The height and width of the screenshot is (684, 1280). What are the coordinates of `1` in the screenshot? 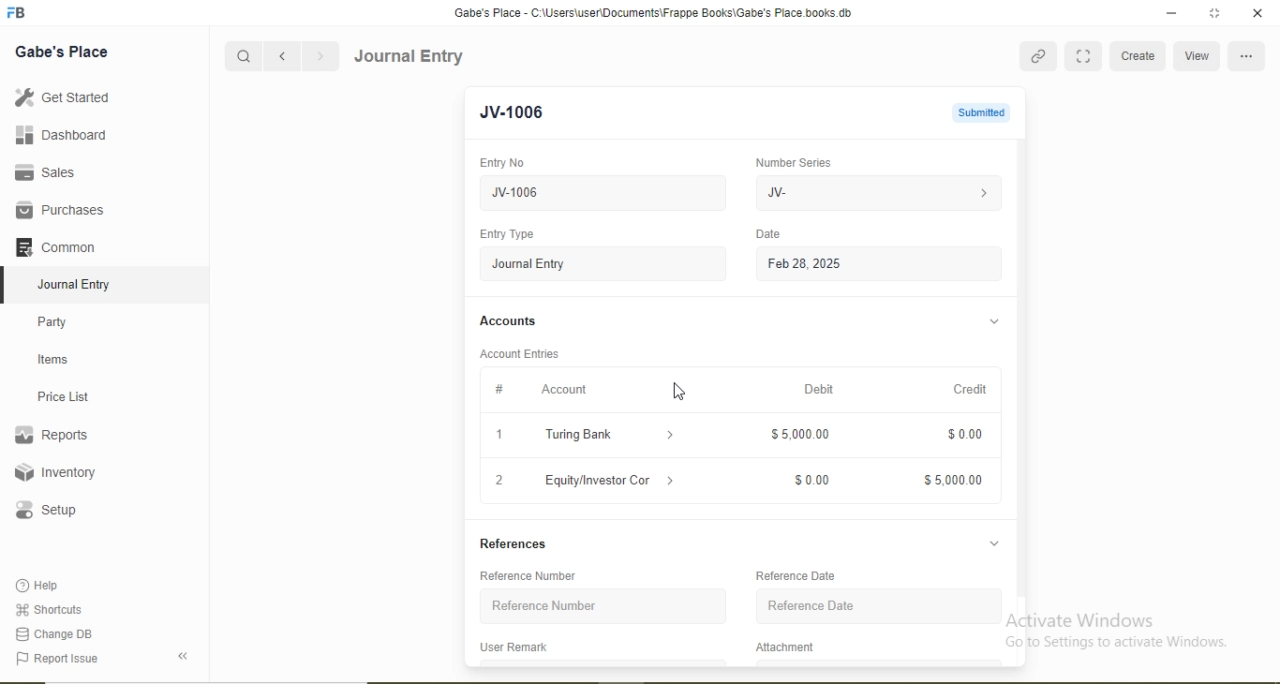 It's located at (499, 434).